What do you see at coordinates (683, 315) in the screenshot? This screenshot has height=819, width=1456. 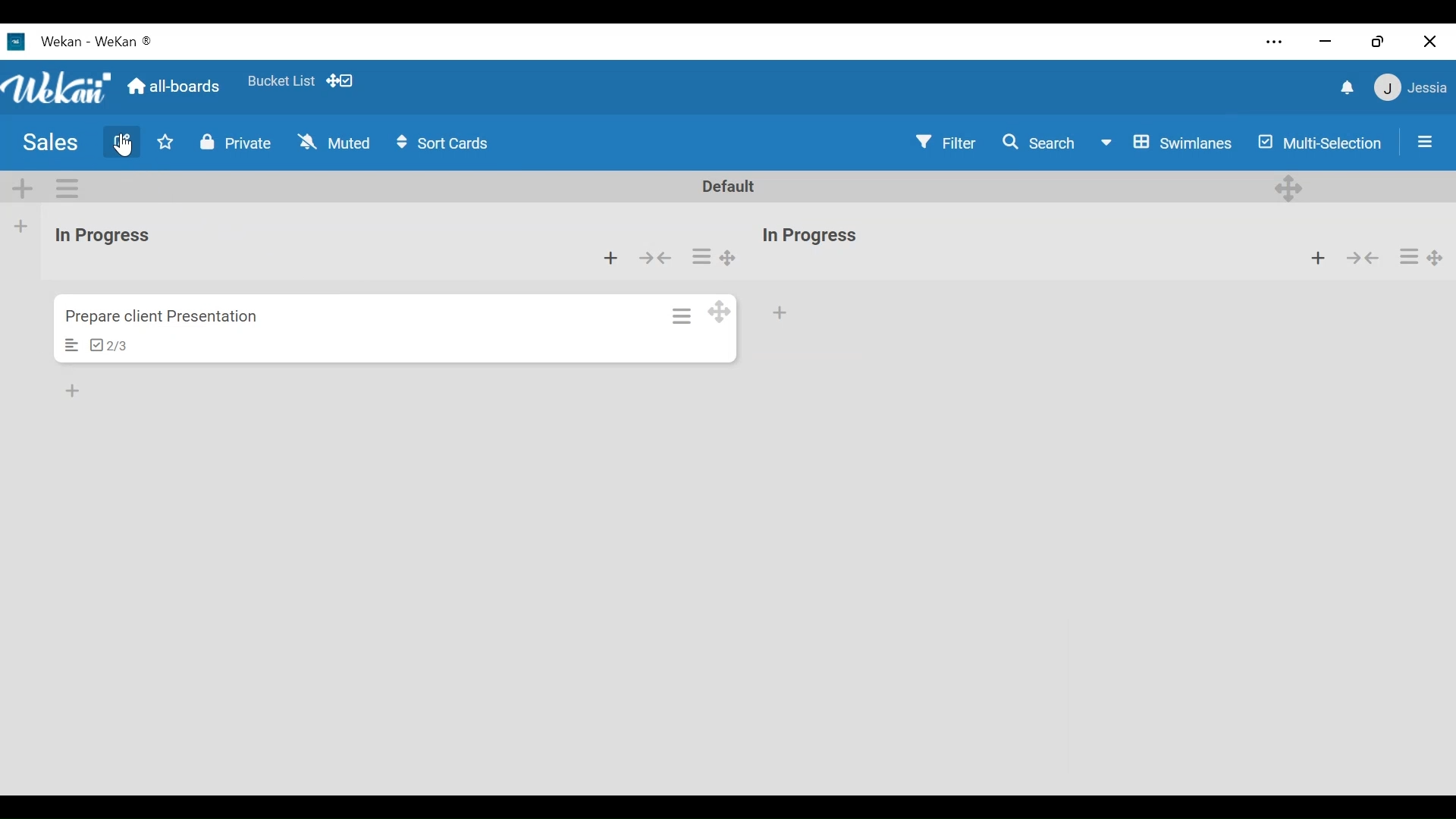 I see `Card actions` at bounding box center [683, 315].